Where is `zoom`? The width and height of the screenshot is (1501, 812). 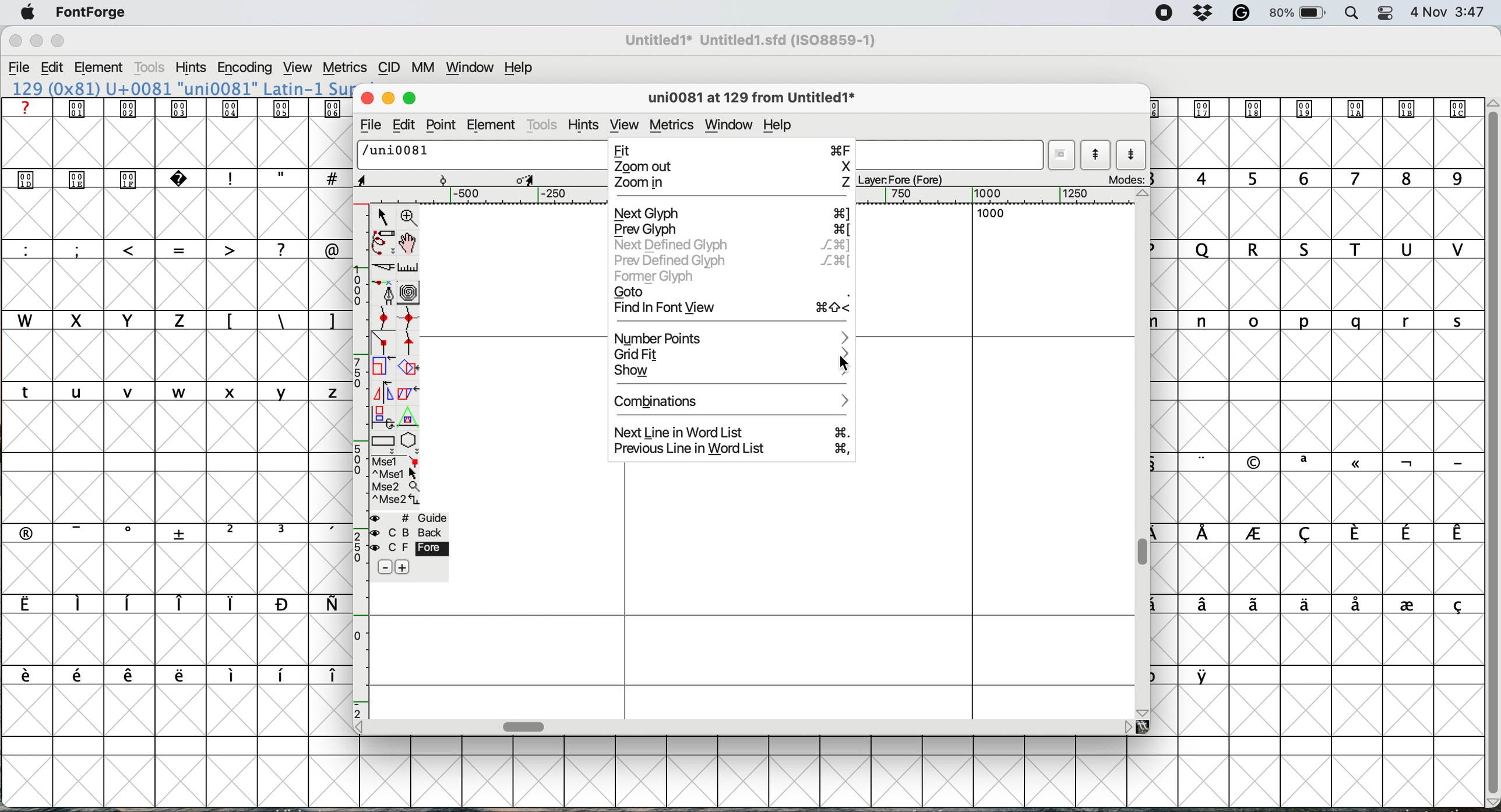 zoom is located at coordinates (412, 217).